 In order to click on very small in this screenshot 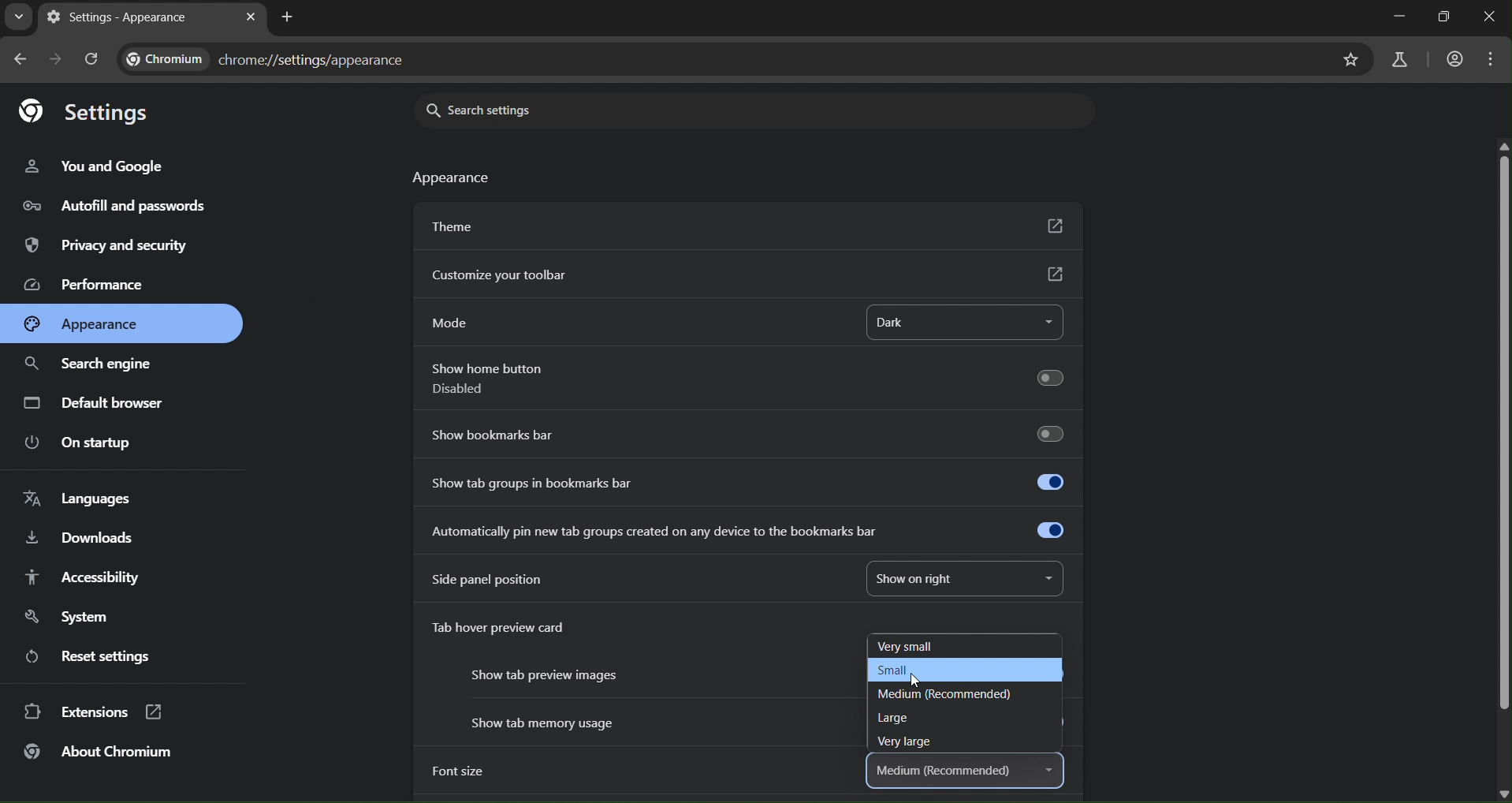, I will do `click(918, 647)`.